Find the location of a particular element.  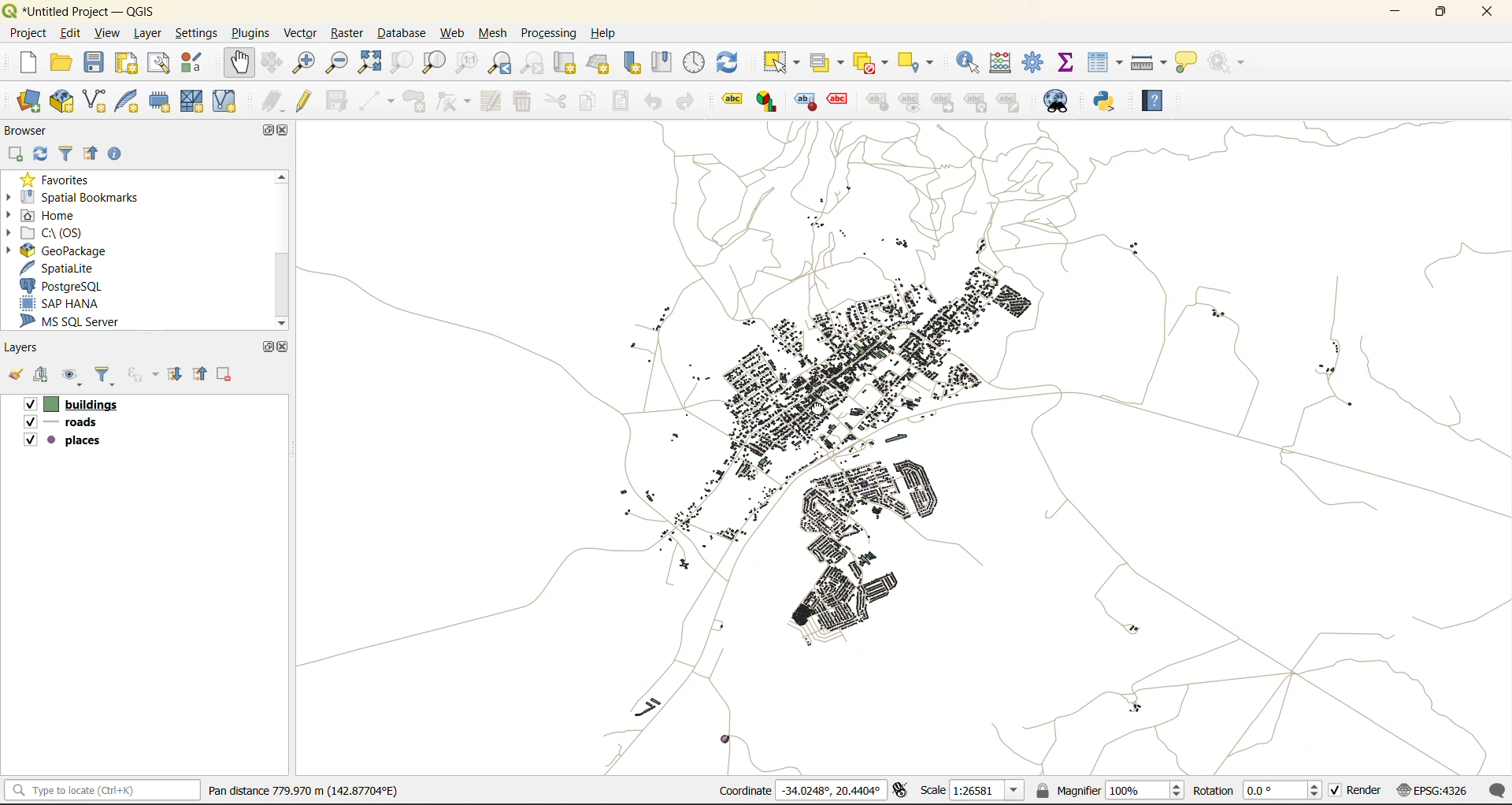

vertex tools is located at coordinates (454, 102).